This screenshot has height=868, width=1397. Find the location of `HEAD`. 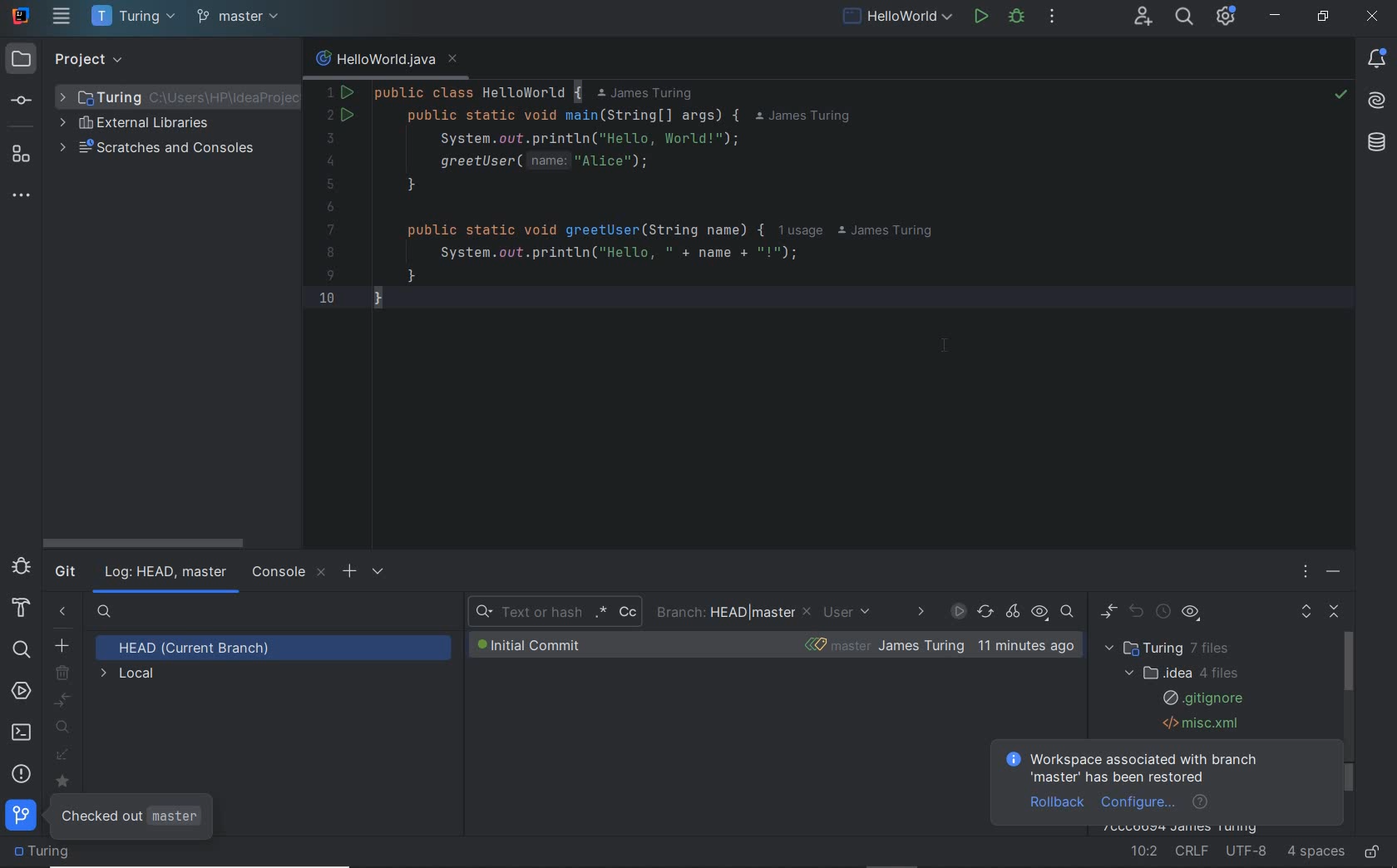

HEAD is located at coordinates (199, 649).